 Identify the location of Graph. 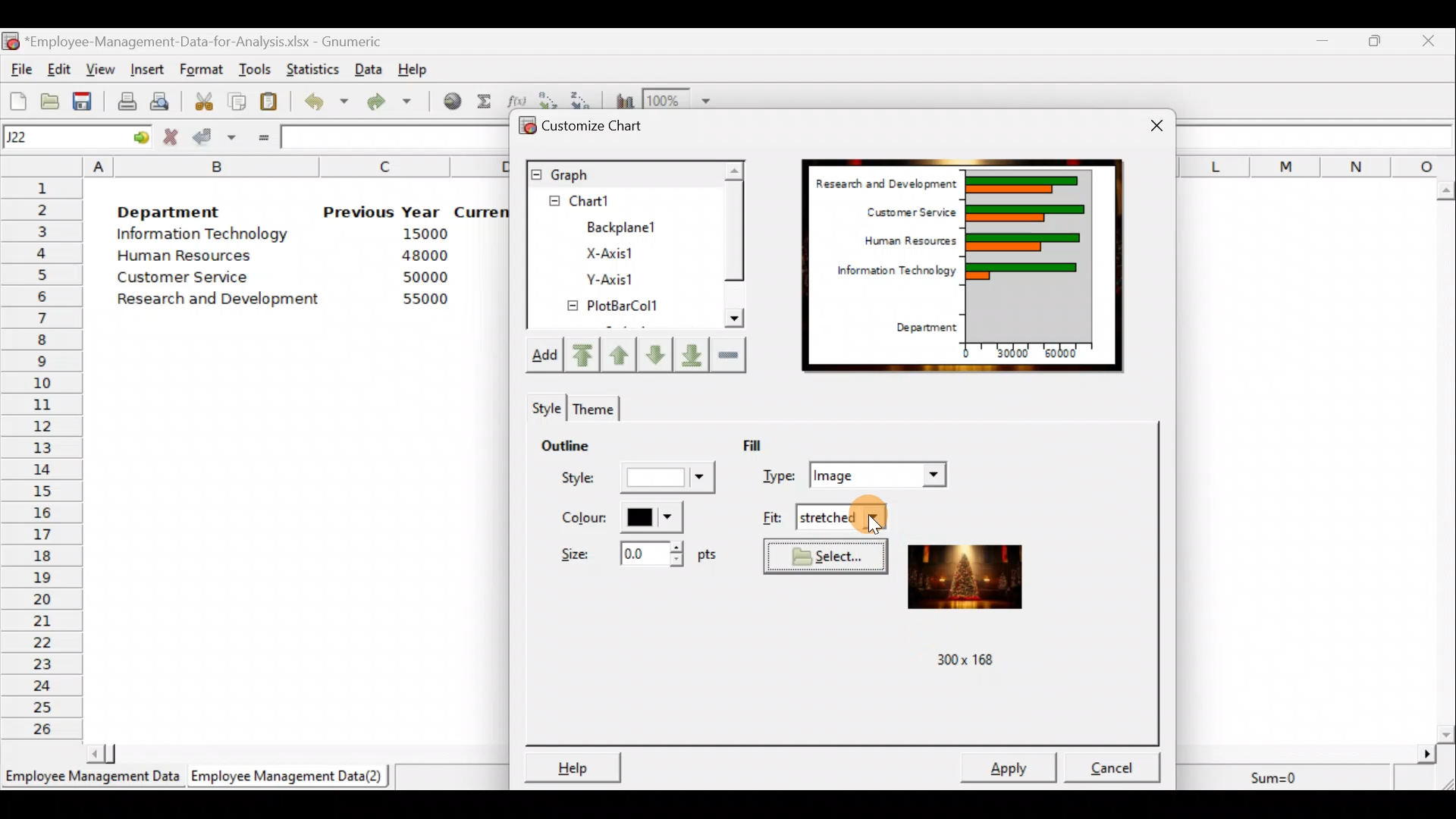
(623, 173).